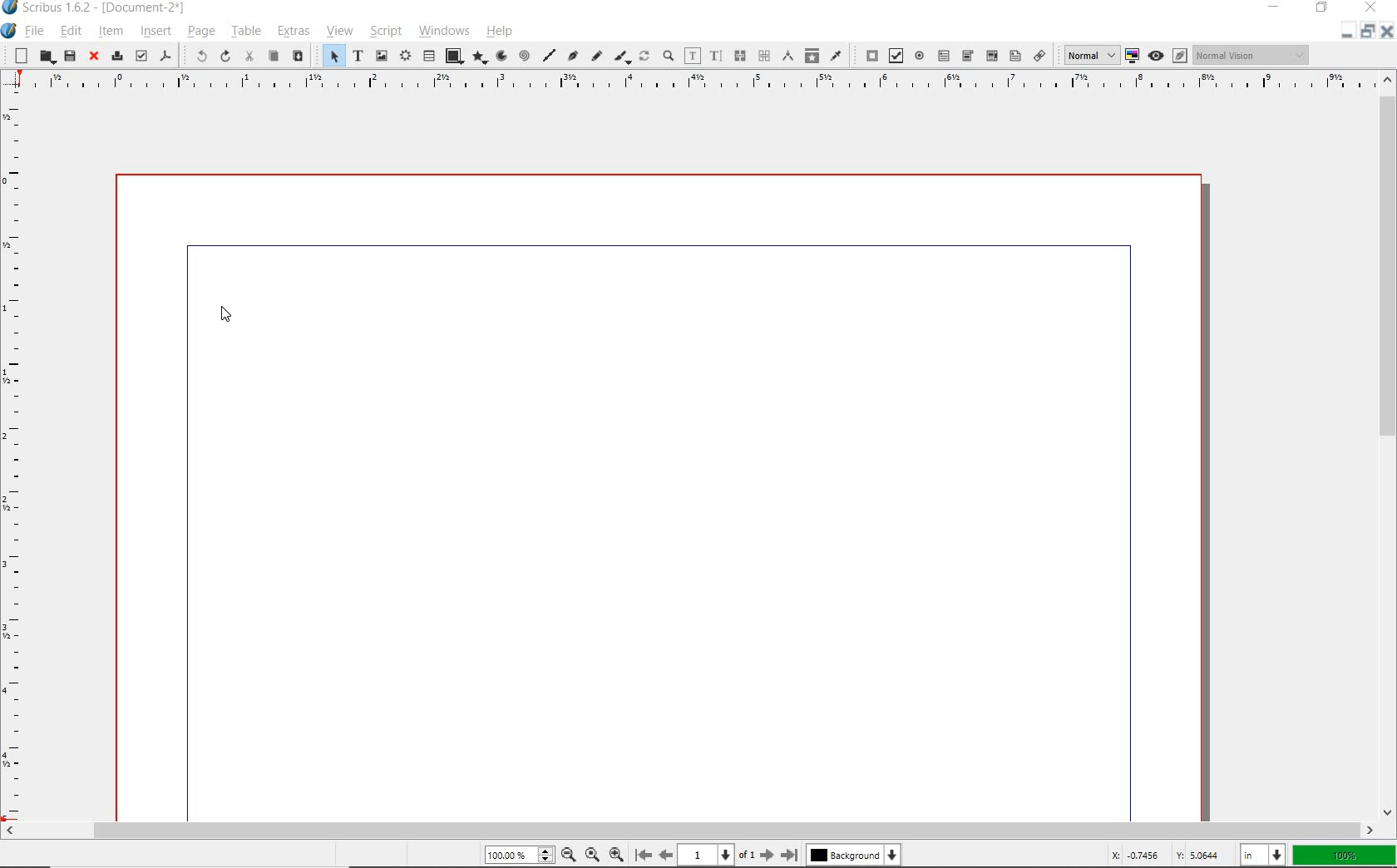 This screenshot has height=868, width=1397. I want to click on close, so click(1370, 8).